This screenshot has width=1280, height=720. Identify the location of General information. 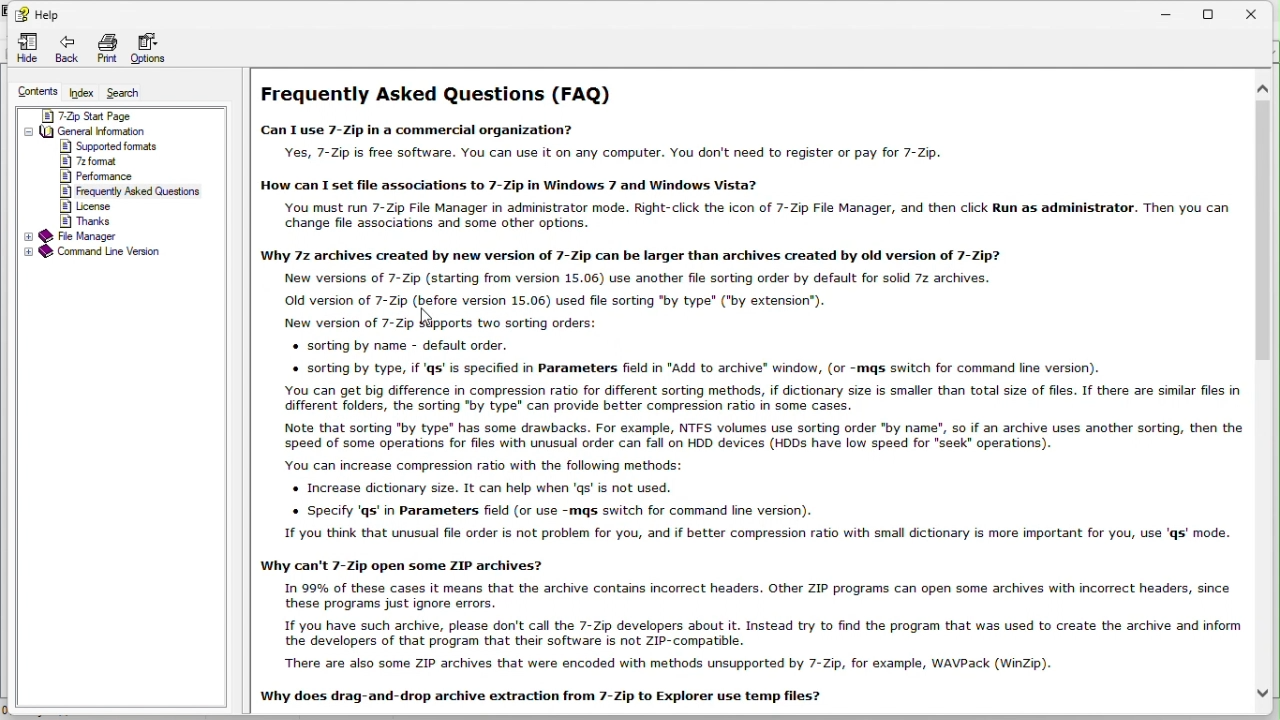
(86, 132).